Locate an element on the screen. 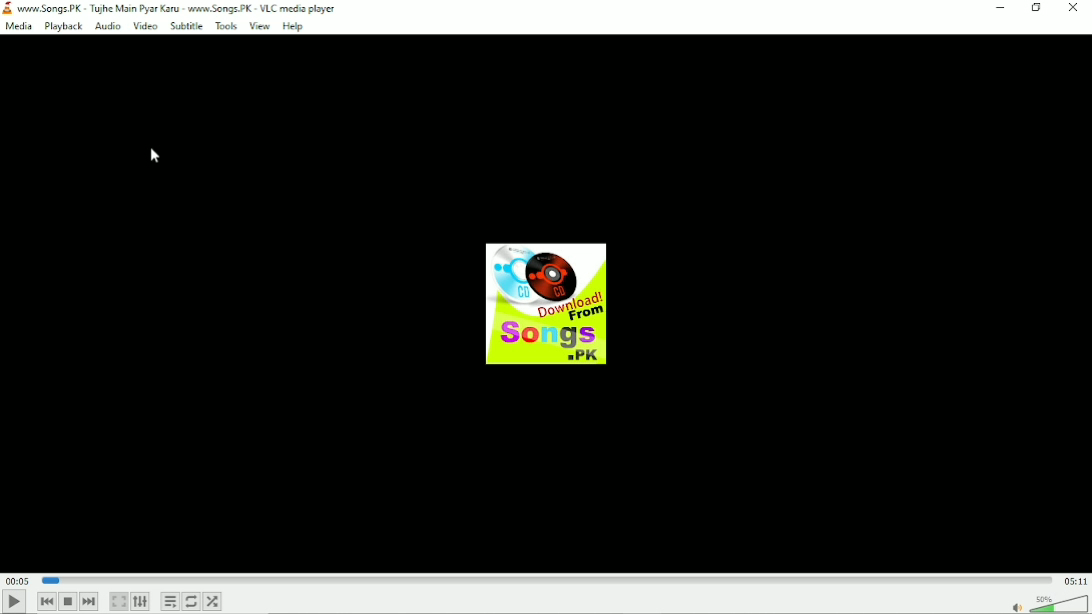 The height and width of the screenshot is (614, 1092). Show extended settings is located at coordinates (142, 602).